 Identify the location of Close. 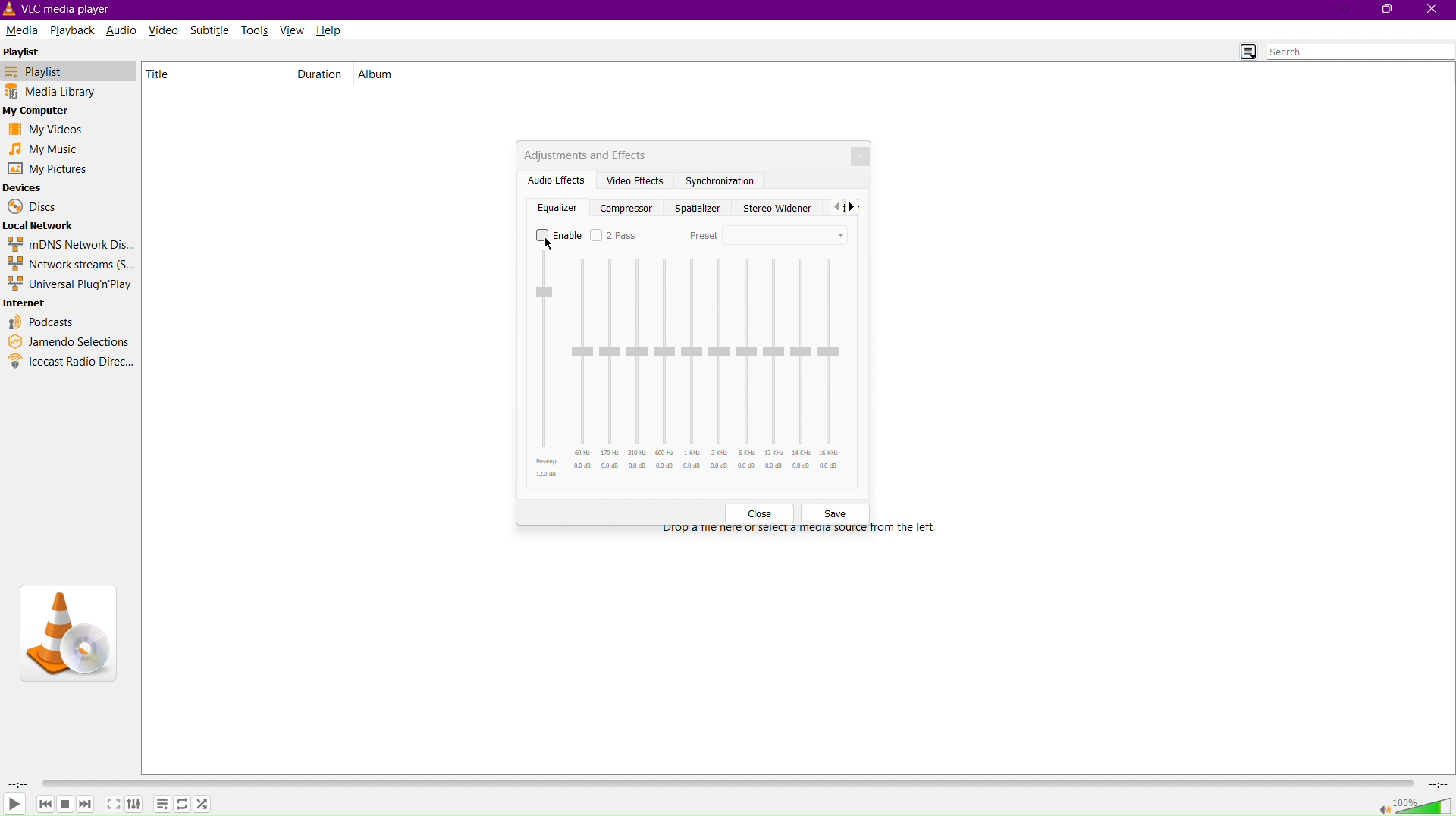
(1436, 11).